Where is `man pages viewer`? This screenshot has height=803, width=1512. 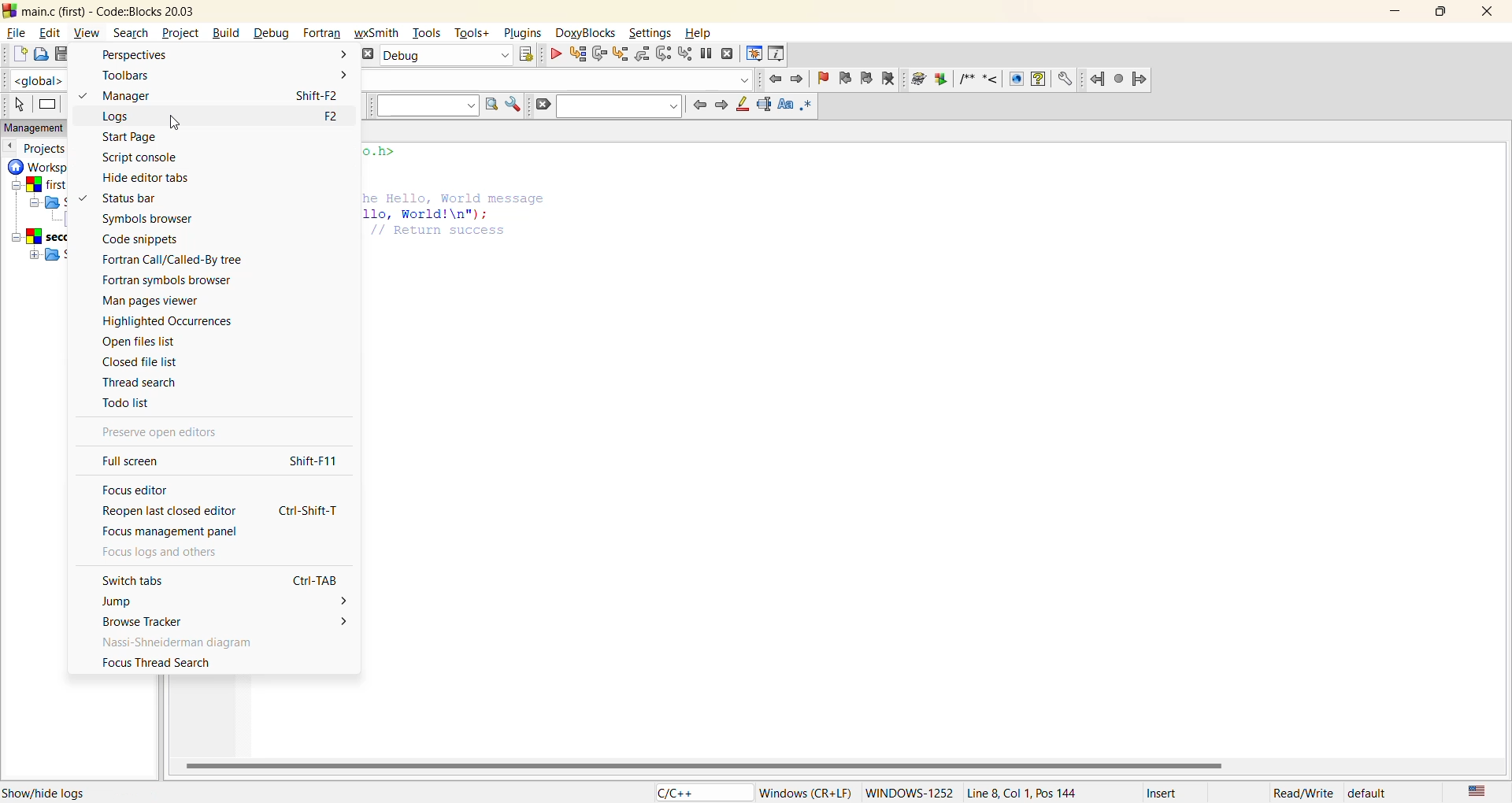 man pages viewer is located at coordinates (153, 301).